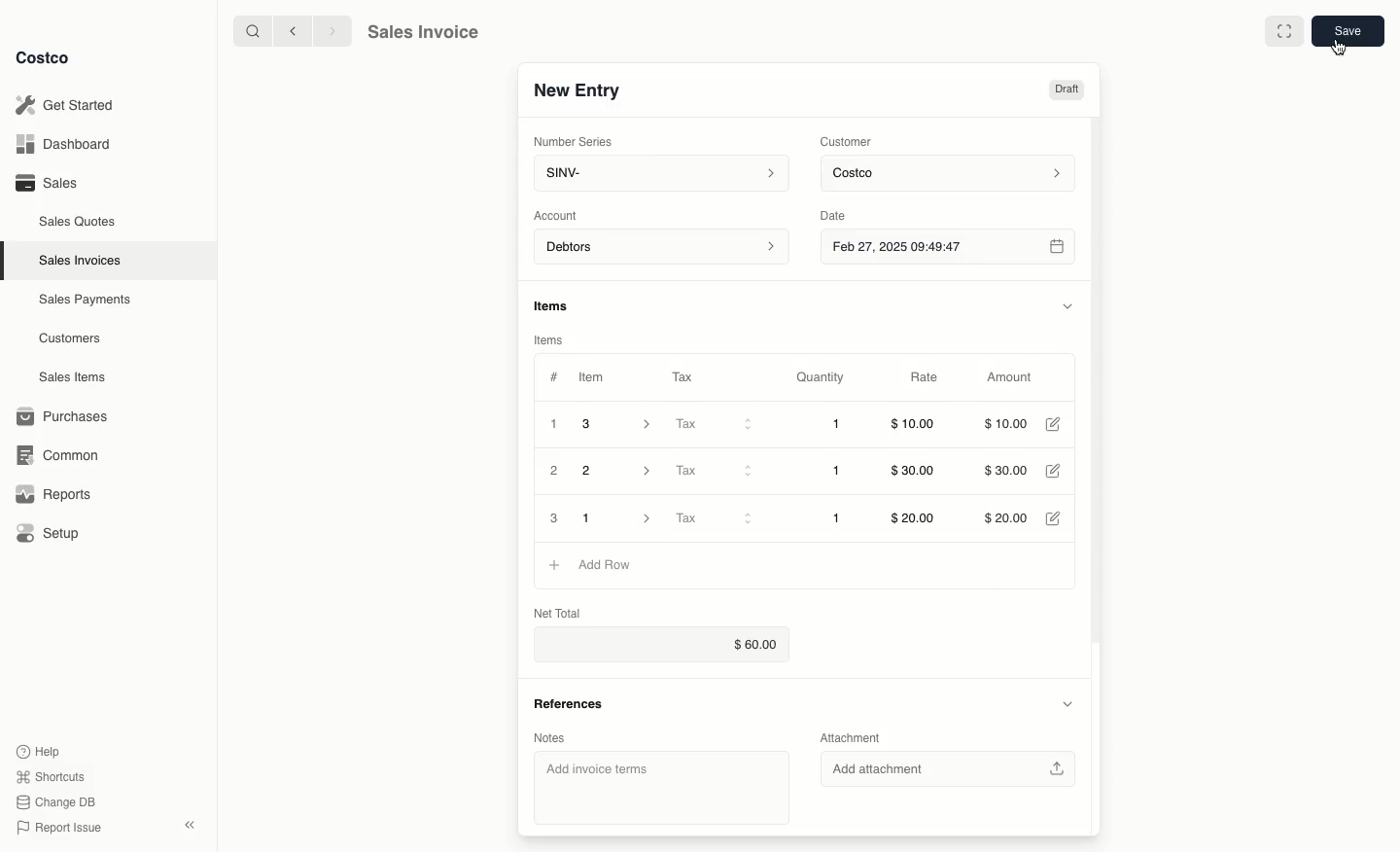  What do you see at coordinates (849, 213) in the screenshot?
I see `Date` at bounding box center [849, 213].